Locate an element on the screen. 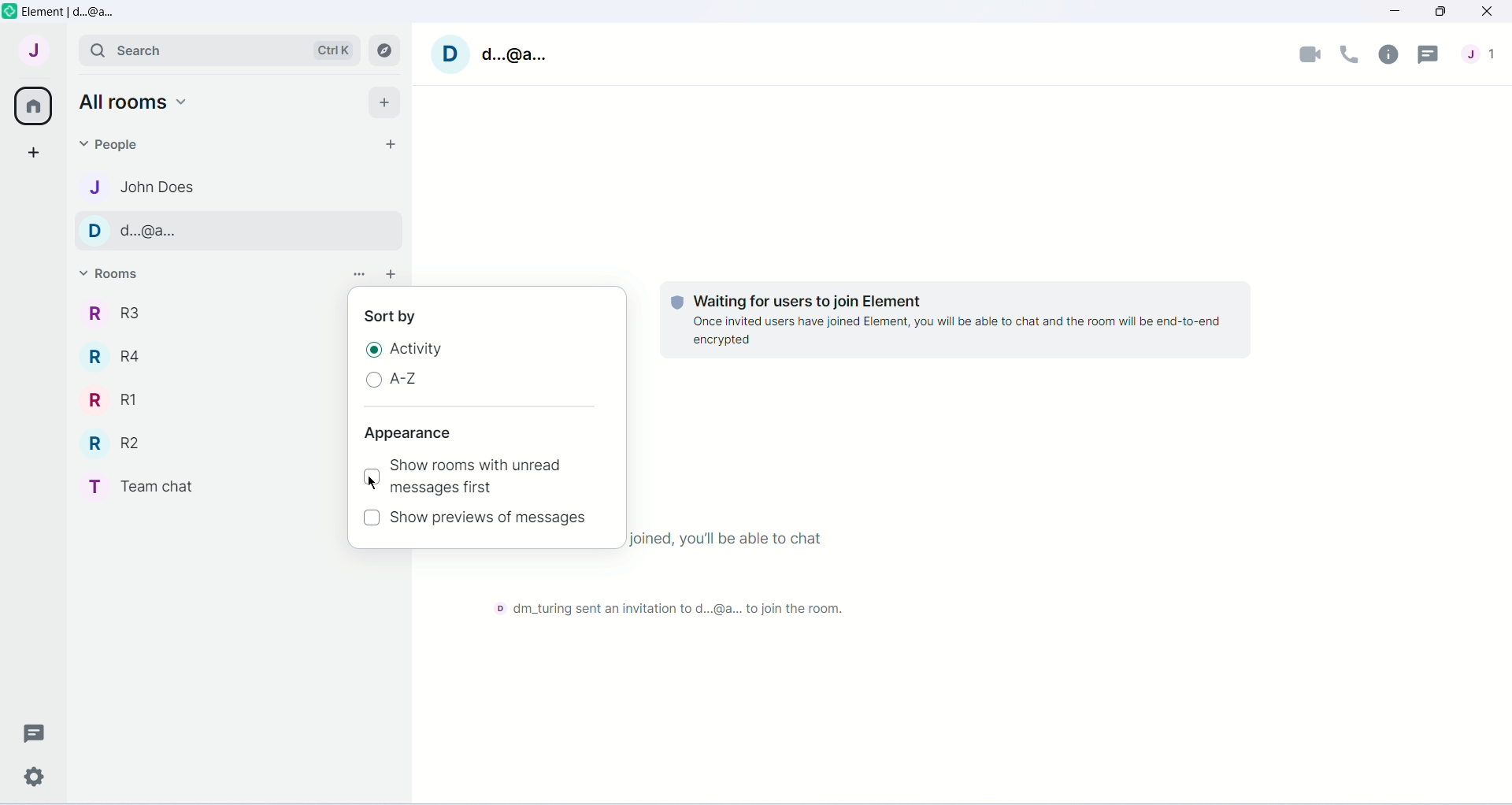  Room Name-r2 is located at coordinates (117, 444).